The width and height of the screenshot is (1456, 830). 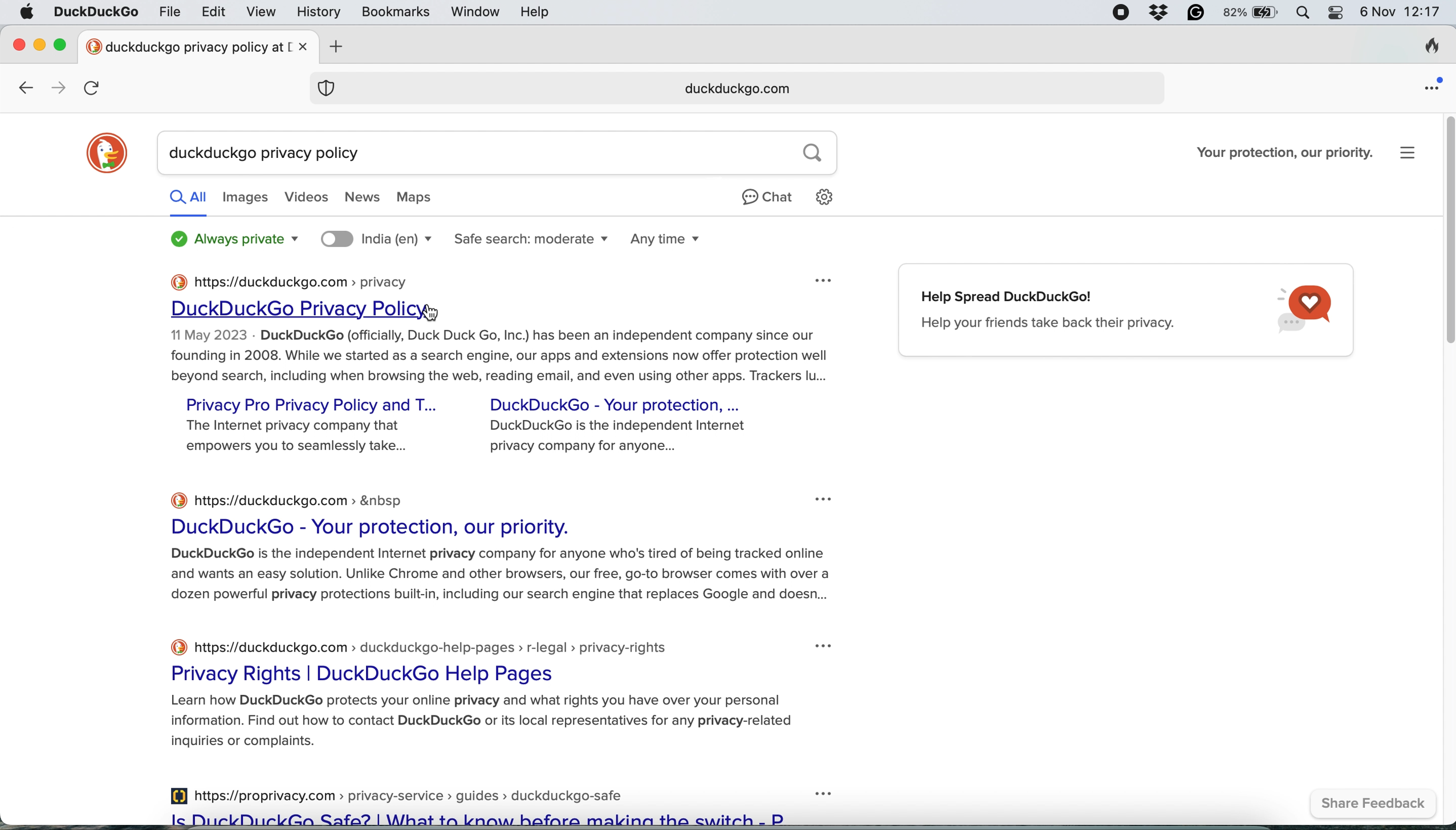 I want to click on Privacy Rights | DuckDuckGo Help Pages, so click(x=366, y=673).